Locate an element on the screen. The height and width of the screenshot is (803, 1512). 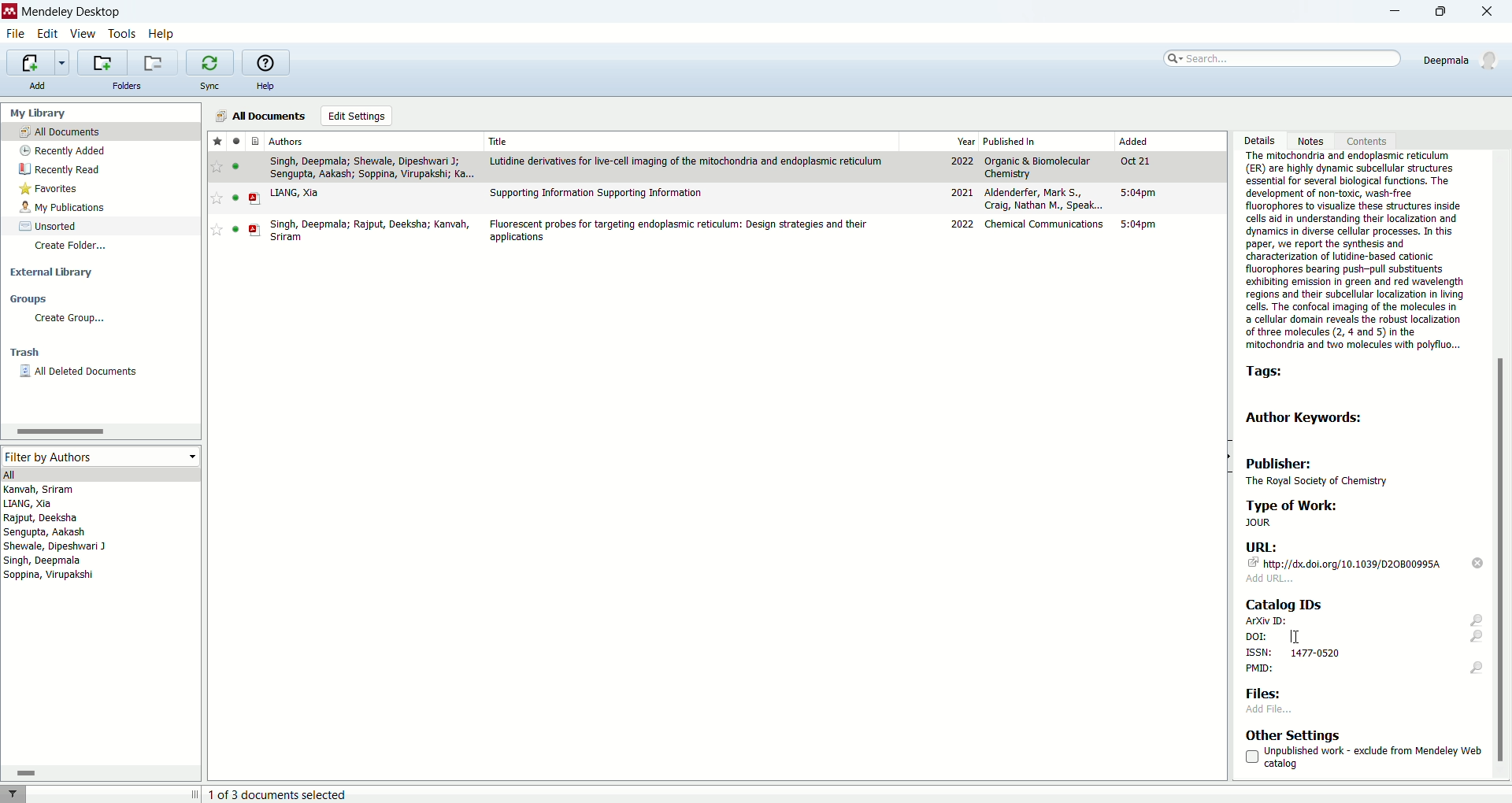
Lutidine derivatives for live-cell imaging of the mitochondria and endoplasmic reticulum is located at coordinates (687, 161).